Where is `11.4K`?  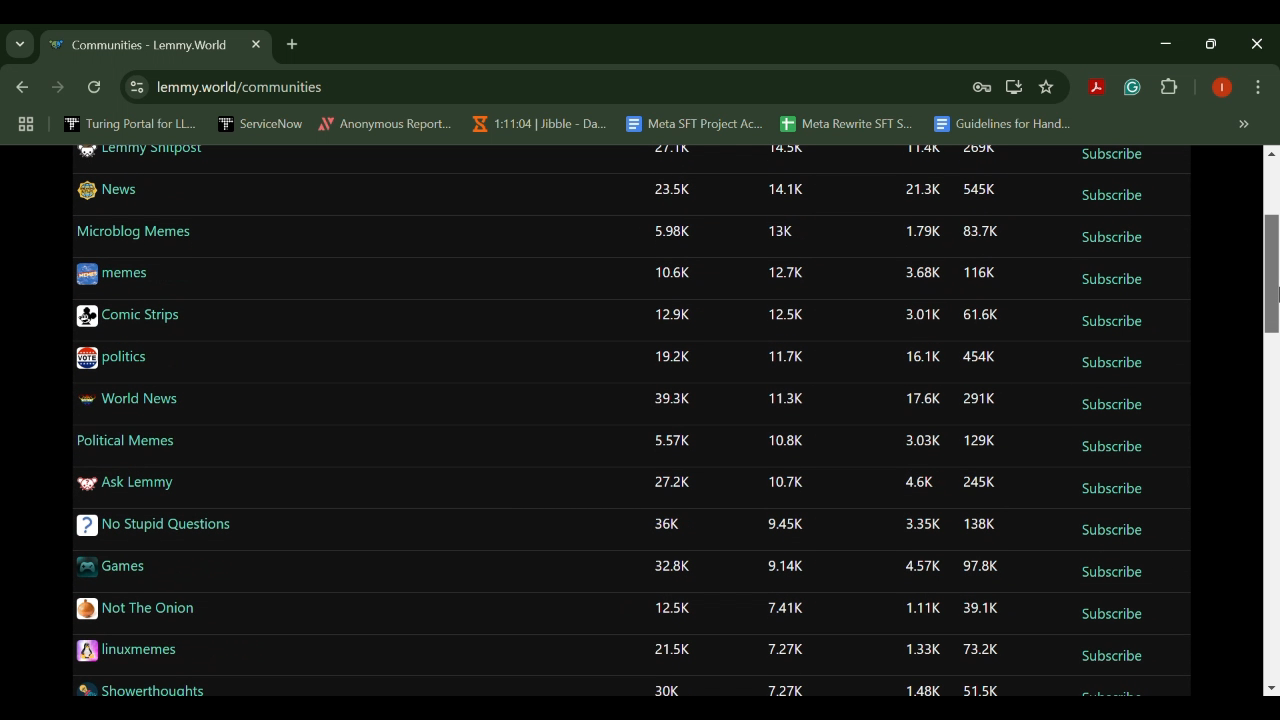
11.4K is located at coordinates (922, 148).